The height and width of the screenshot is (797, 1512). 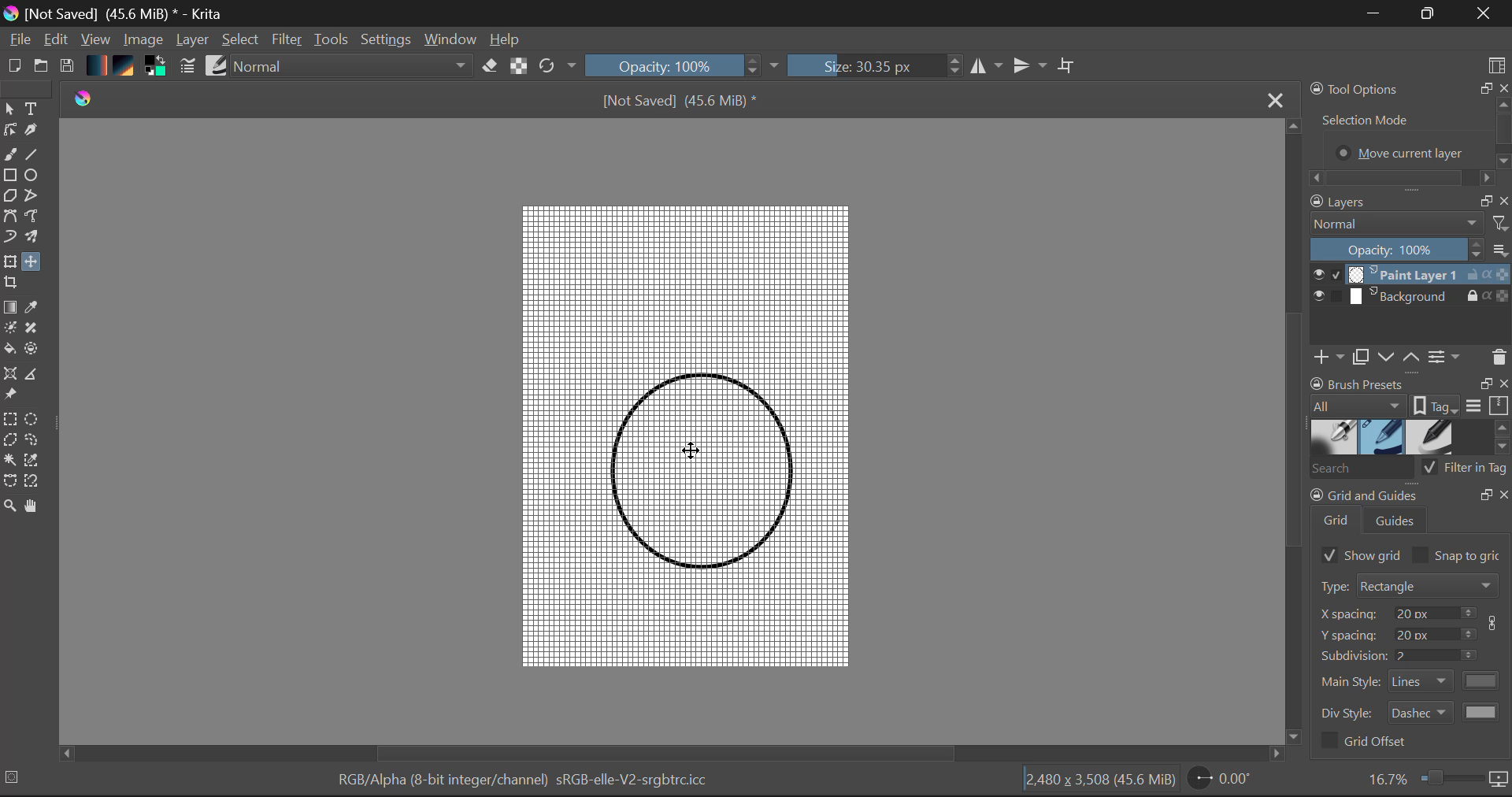 What do you see at coordinates (1410, 250) in the screenshot?
I see `Layer Opacity ` at bounding box center [1410, 250].